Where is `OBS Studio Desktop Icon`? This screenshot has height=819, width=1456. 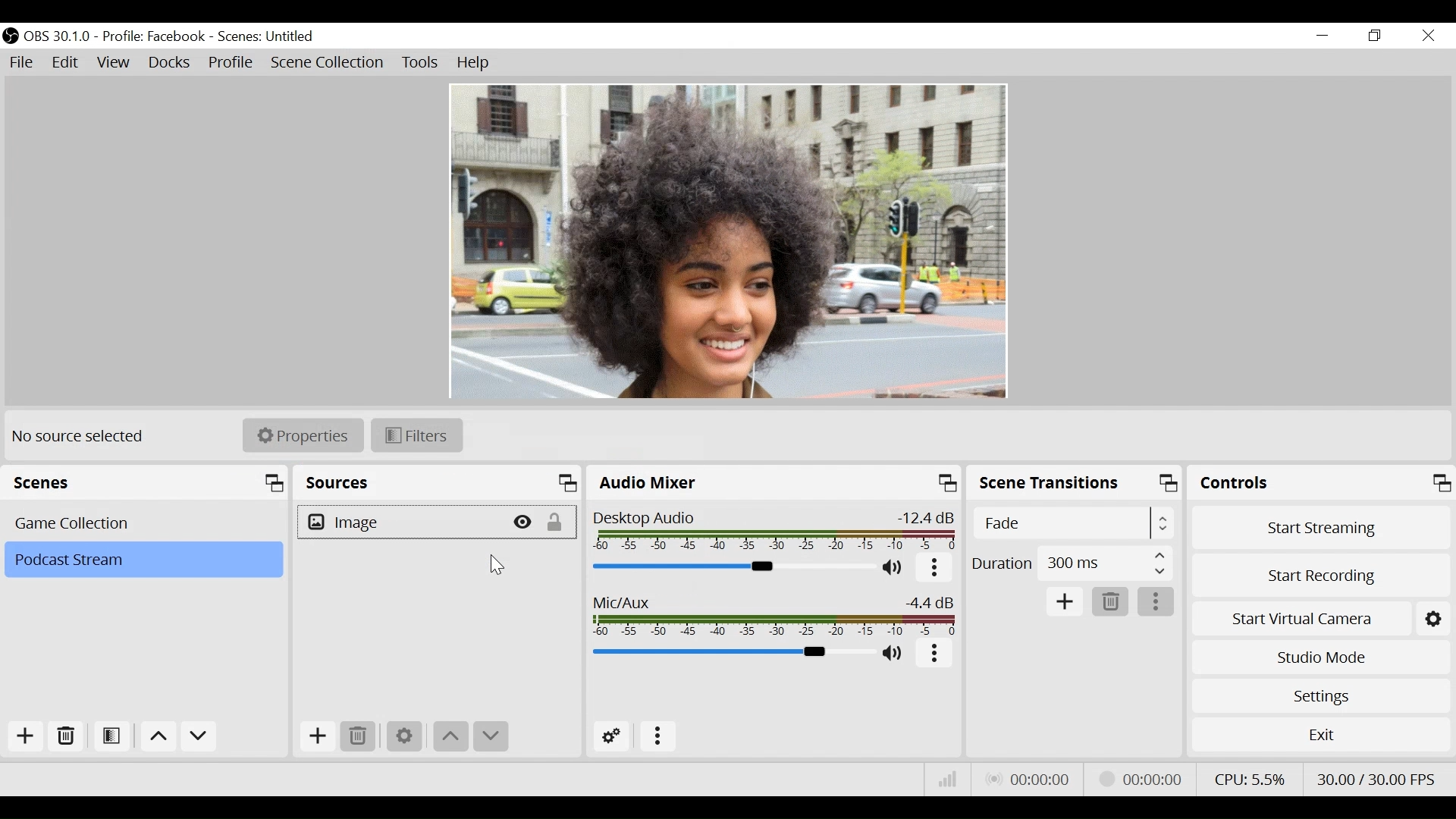
OBS Studio Desktop Icon is located at coordinates (11, 36).